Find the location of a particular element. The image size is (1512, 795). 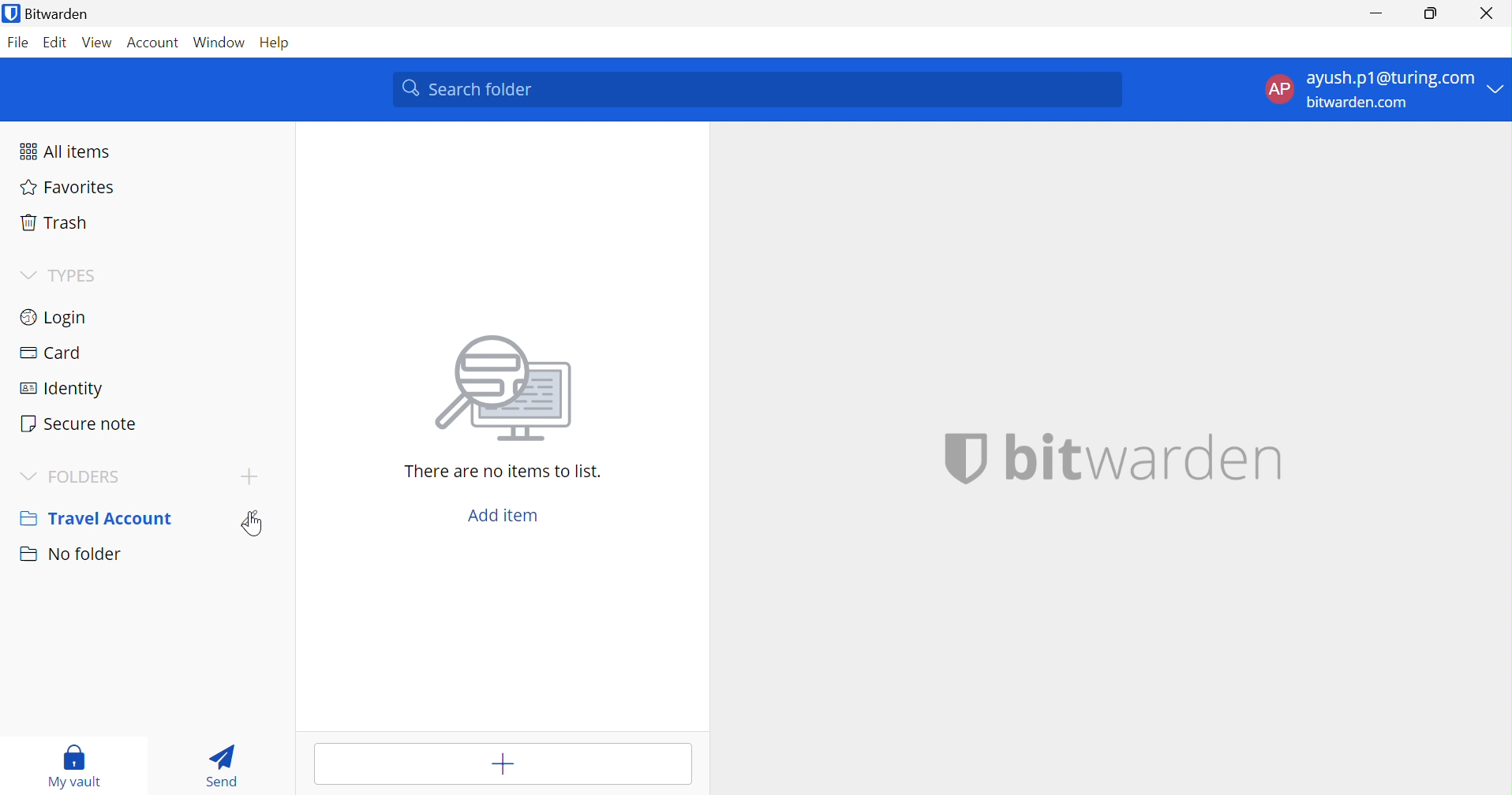

Close is located at coordinates (1487, 13).